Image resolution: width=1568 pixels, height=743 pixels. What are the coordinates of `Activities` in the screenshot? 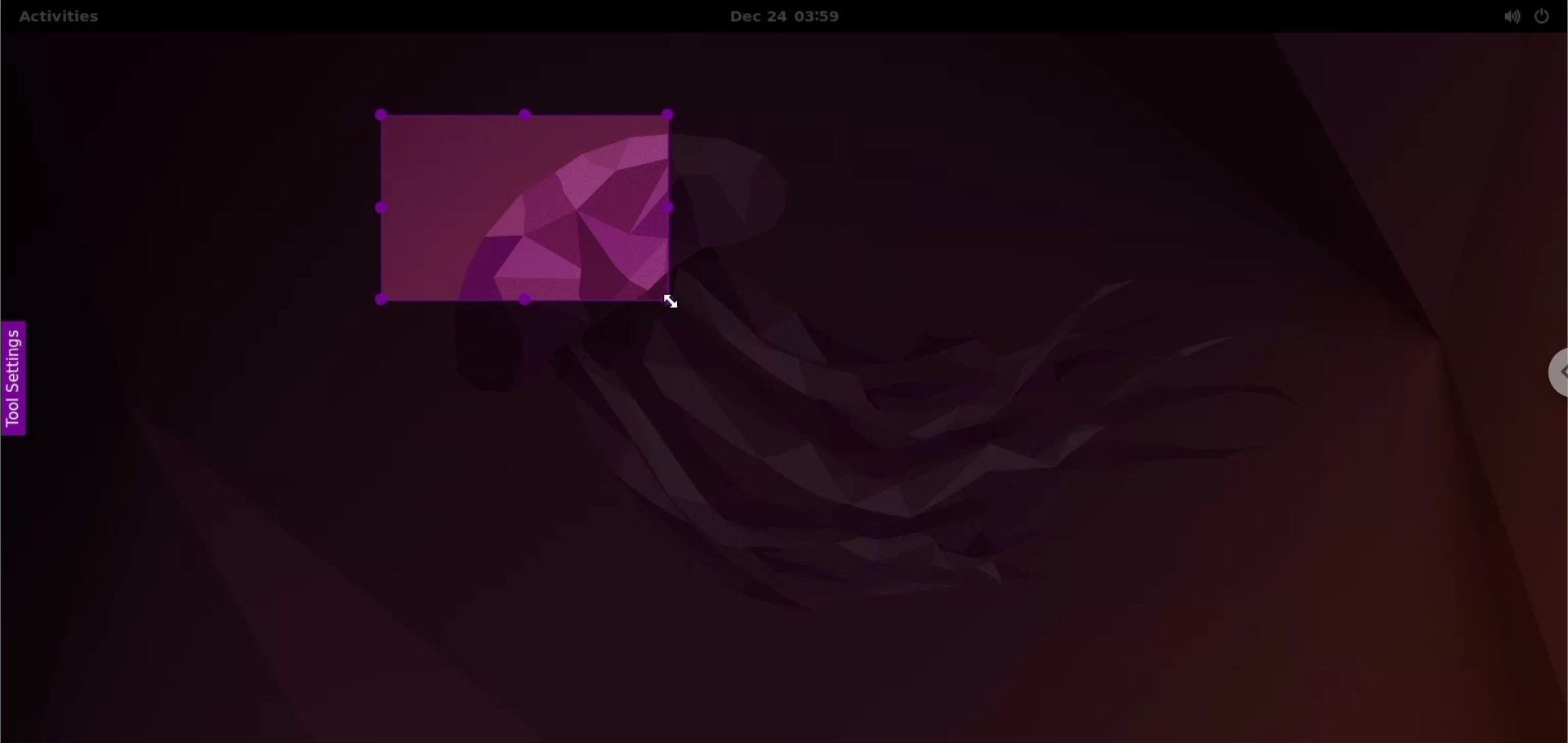 It's located at (57, 17).